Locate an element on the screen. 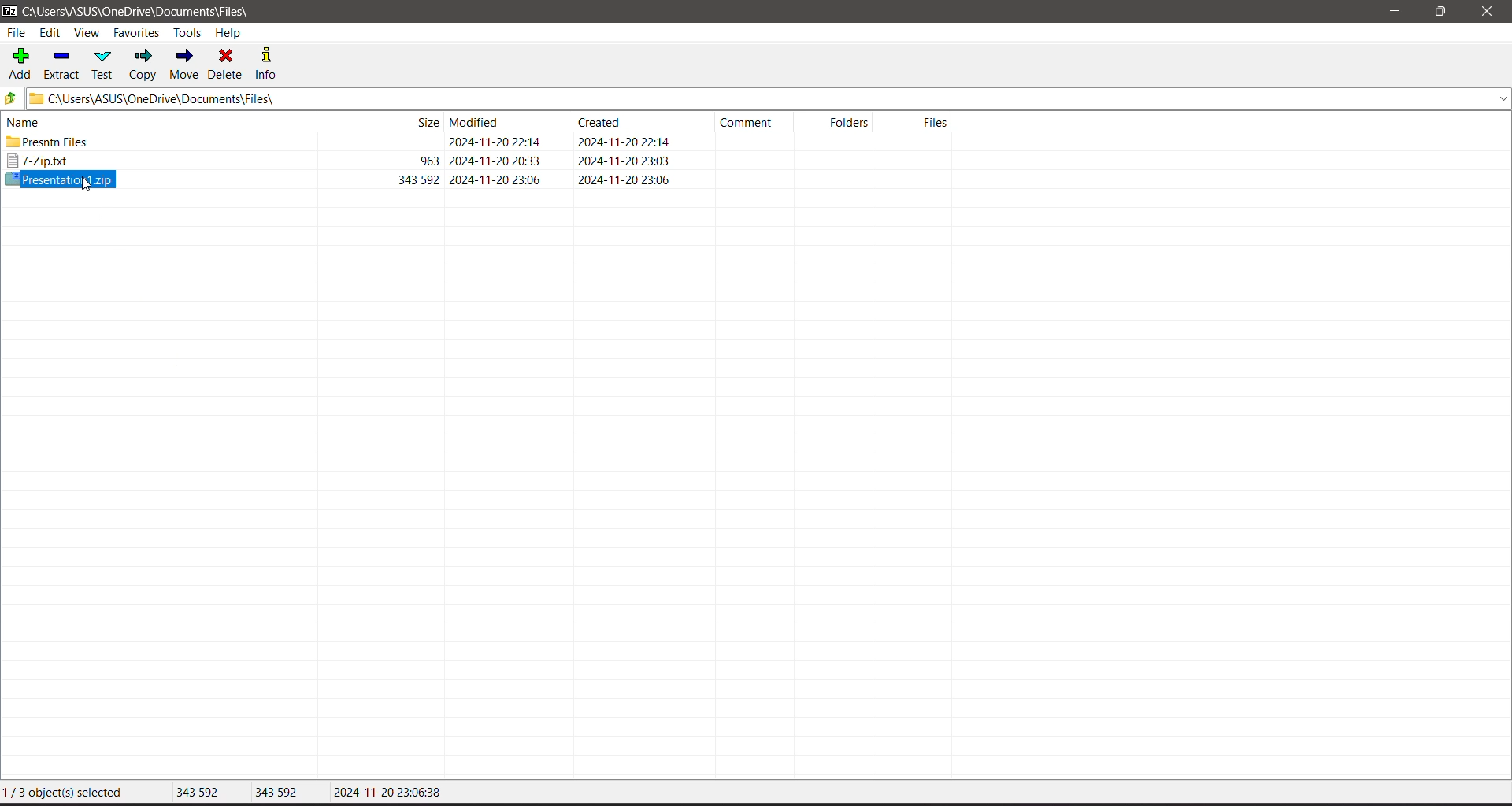 This screenshot has width=1512, height=806. Favorites is located at coordinates (137, 33).